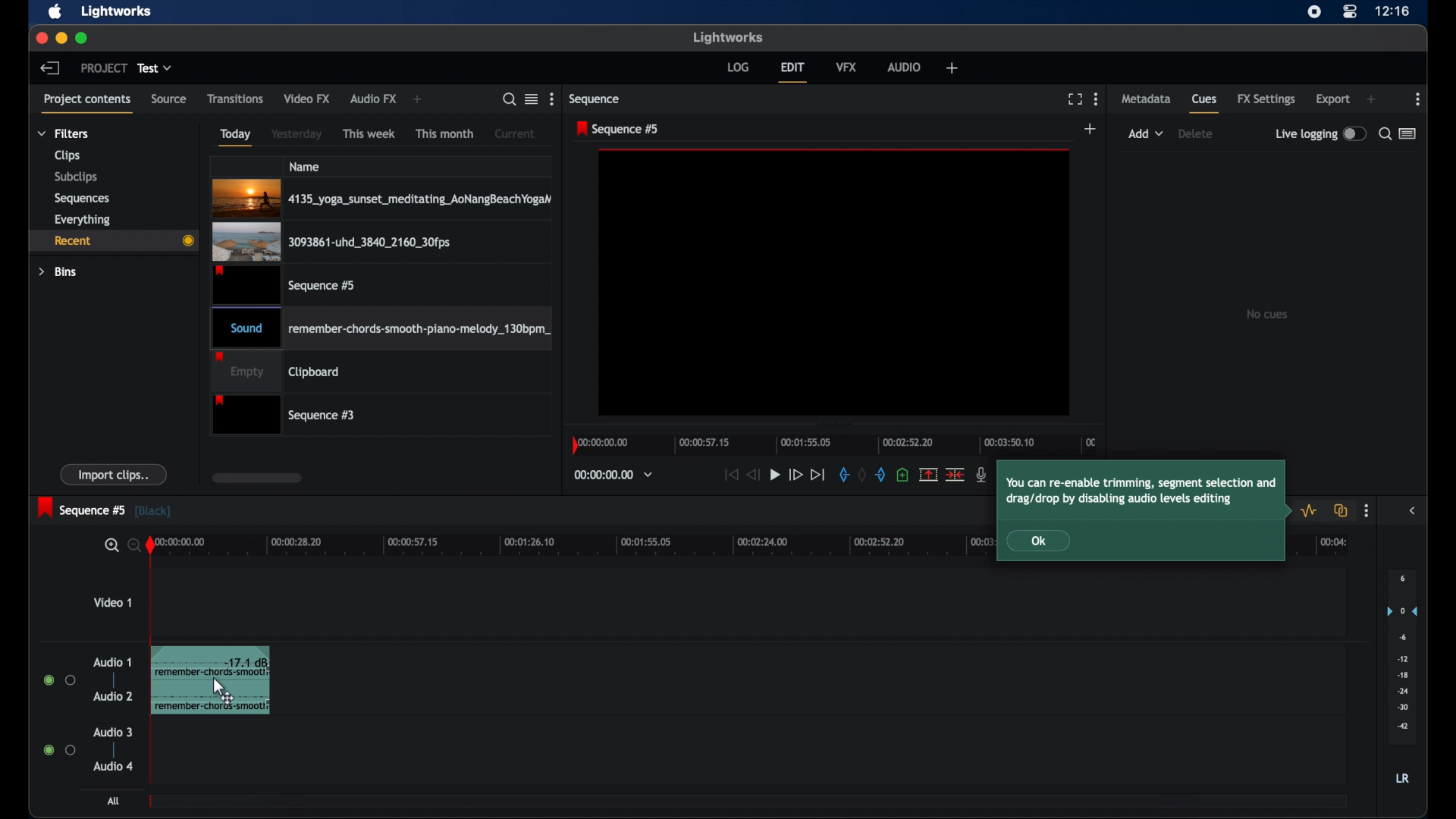  Describe the element at coordinates (509, 99) in the screenshot. I see `search` at that location.